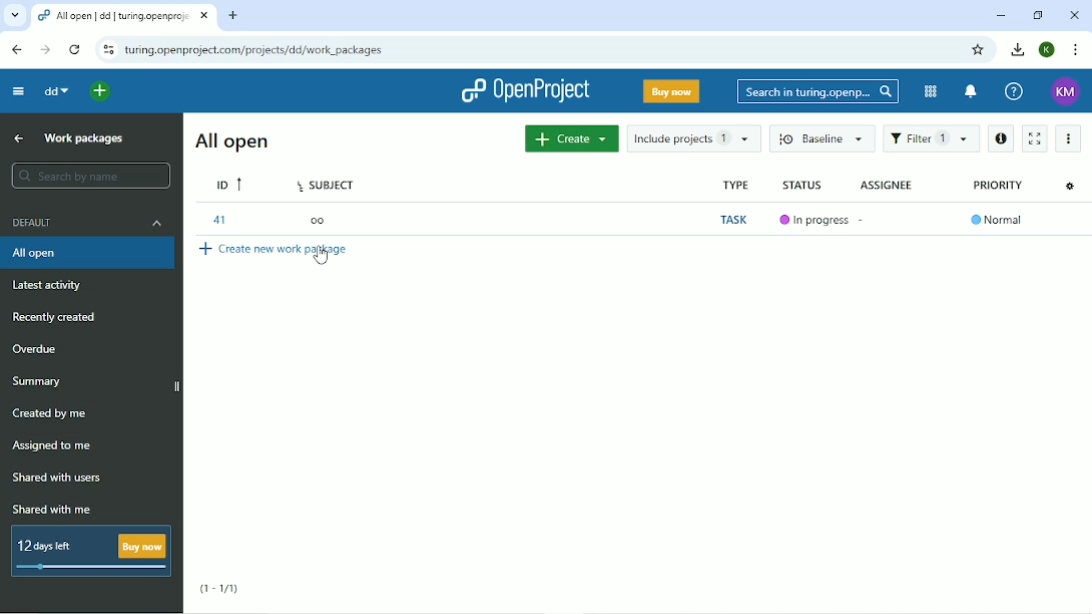 The height and width of the screenshot is (614, 1092). What do you see at coordinates (1036, 139) in the screenshot?
I see `Activate zen mode` at bounding box center [1036, 139].